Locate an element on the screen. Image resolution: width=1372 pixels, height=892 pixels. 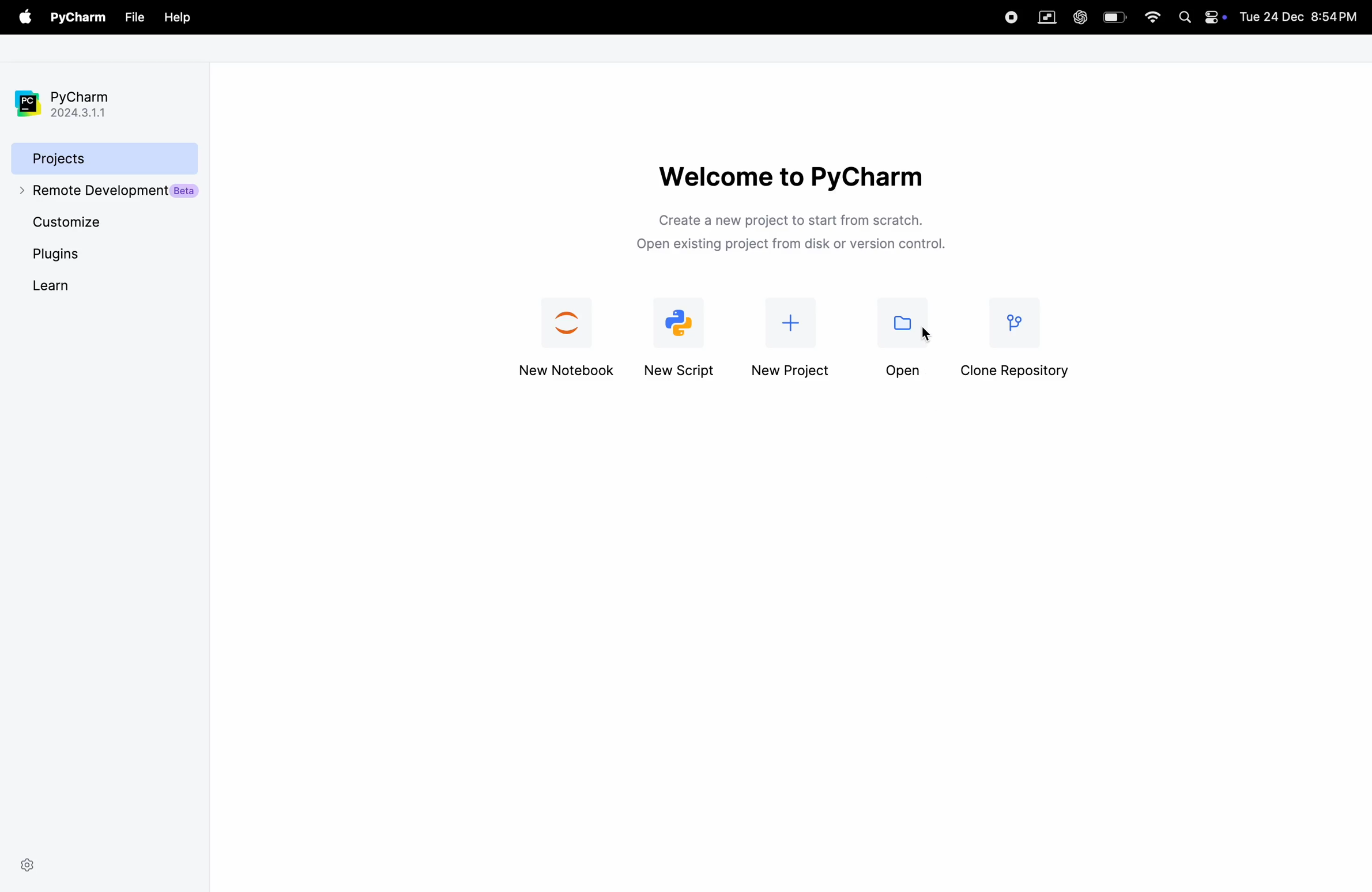
help is located at coordinates (175, 16).